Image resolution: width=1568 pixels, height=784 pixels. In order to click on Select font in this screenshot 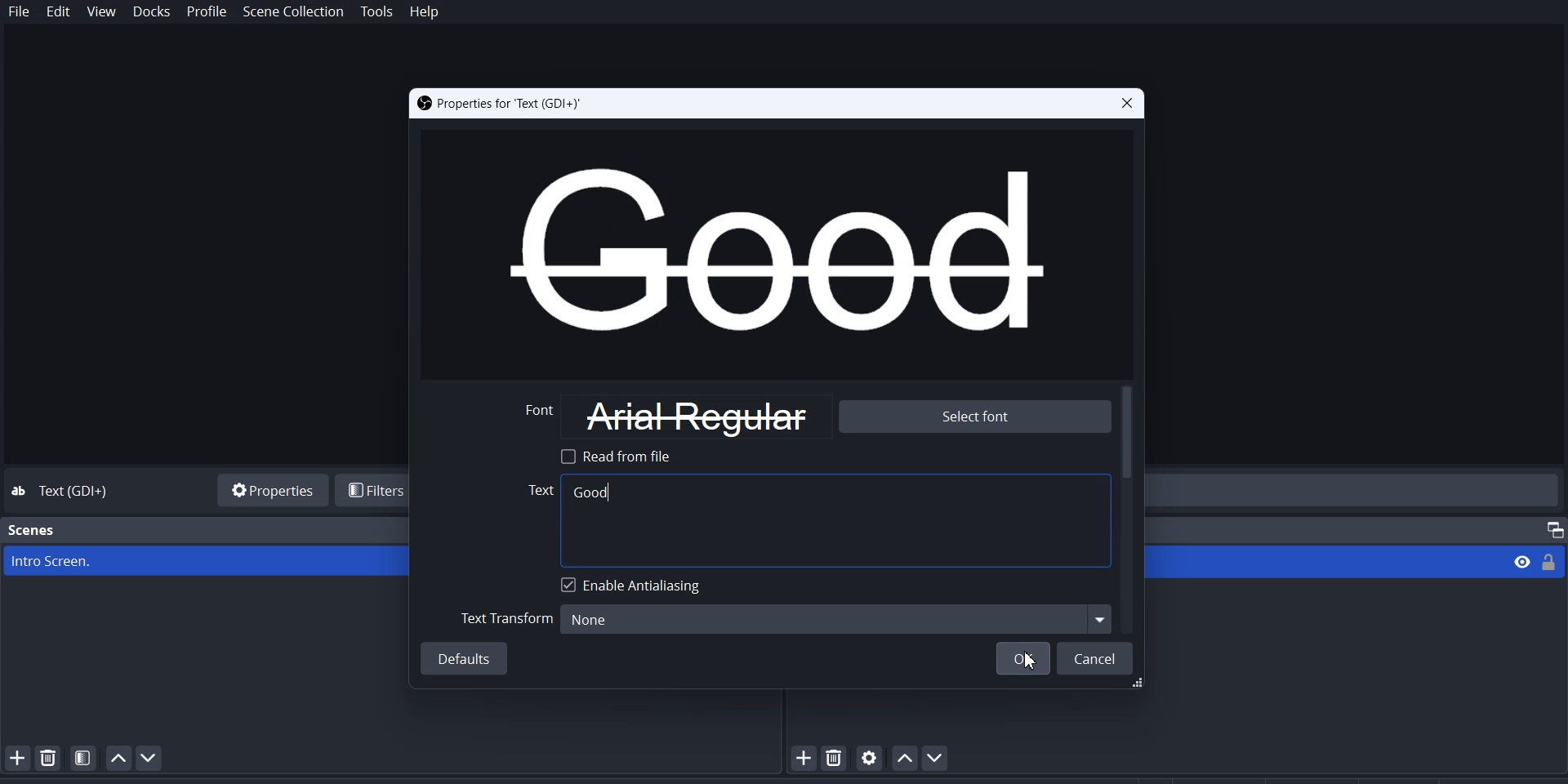, I will do `click(973, 417)`.